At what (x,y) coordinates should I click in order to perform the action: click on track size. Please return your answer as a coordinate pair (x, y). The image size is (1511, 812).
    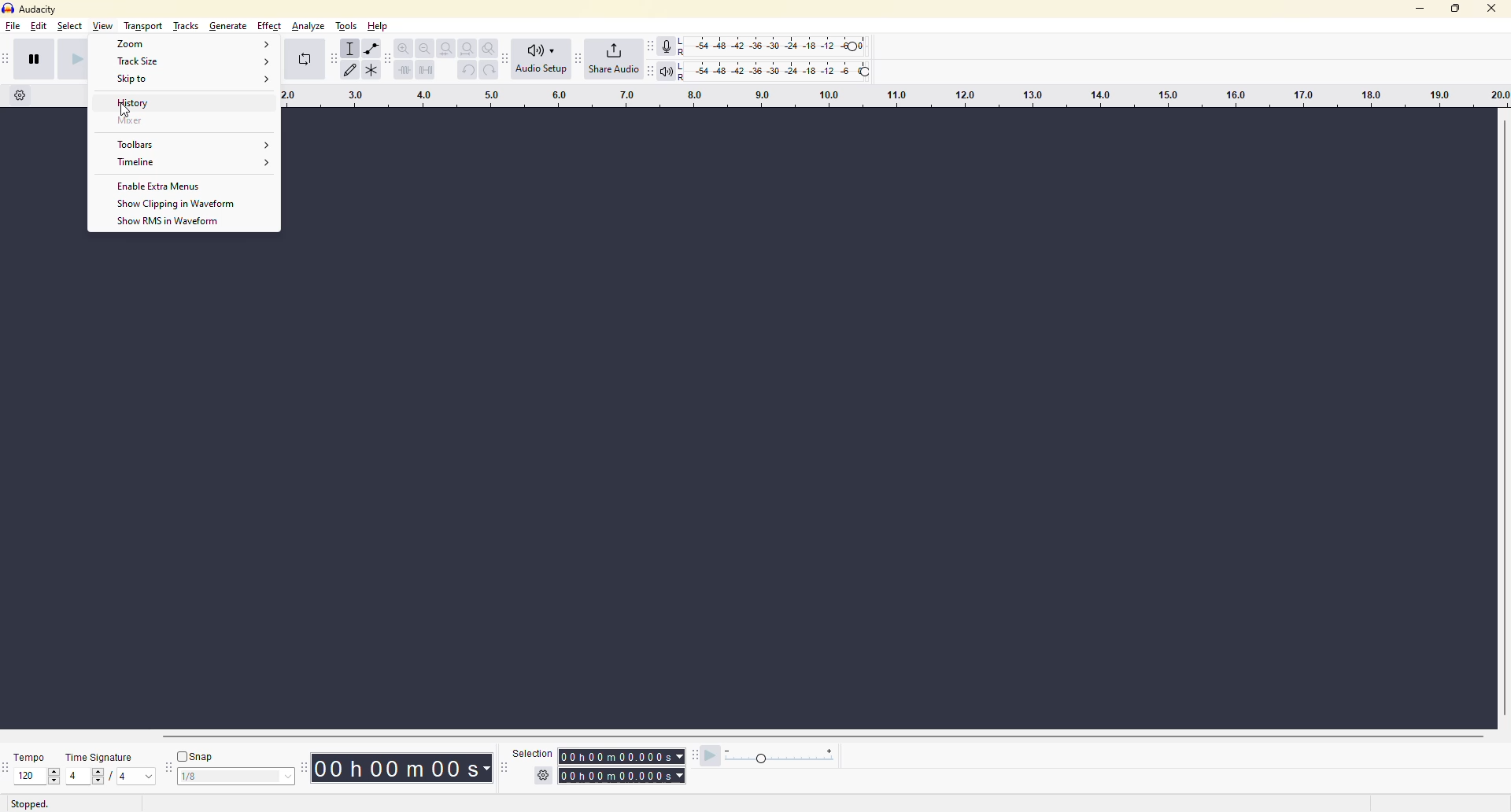
    Looking at the image, I should click on (194, 62).